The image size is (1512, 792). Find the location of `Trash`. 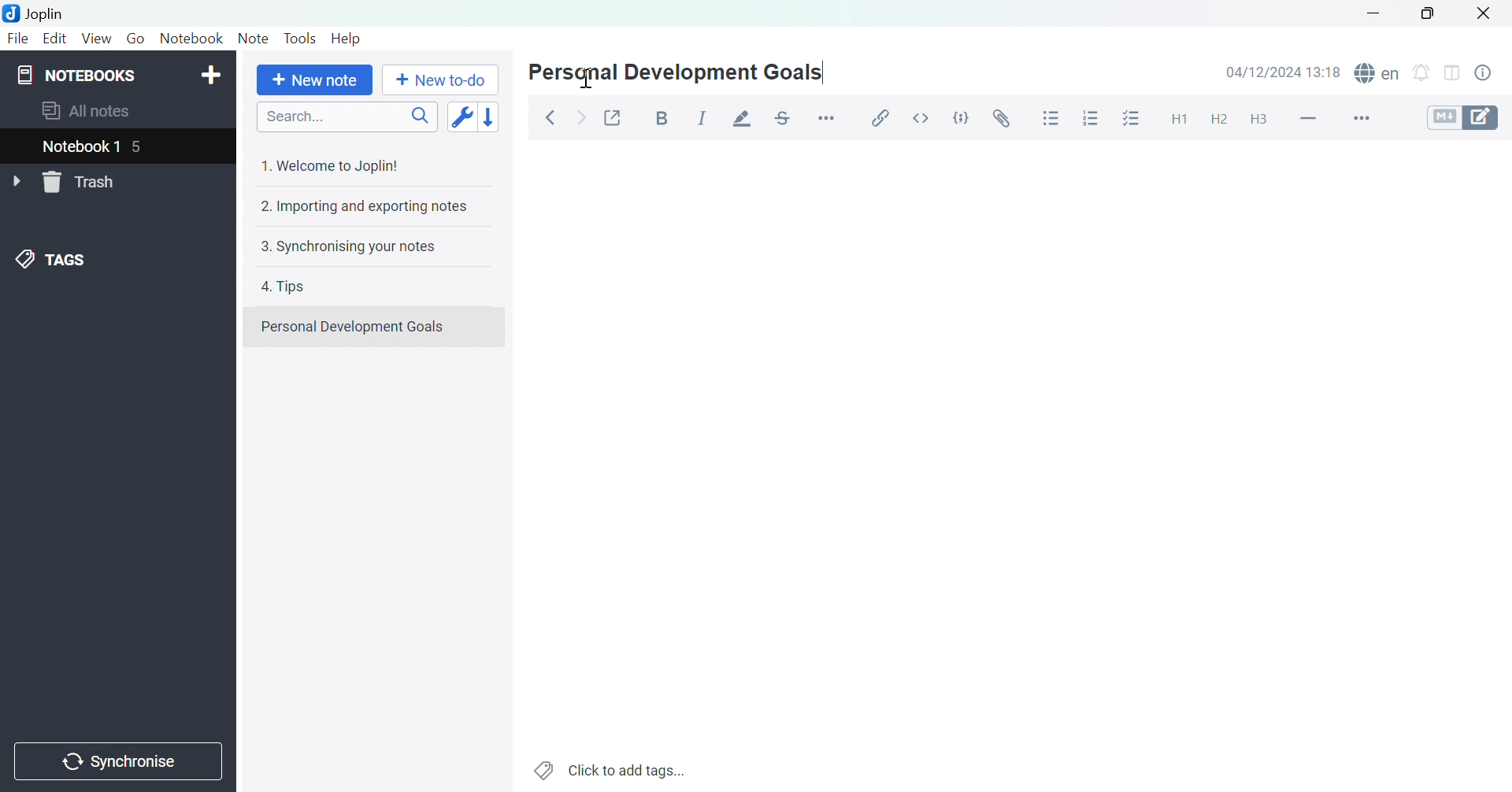

Trash is located at coordinates (82, 183).